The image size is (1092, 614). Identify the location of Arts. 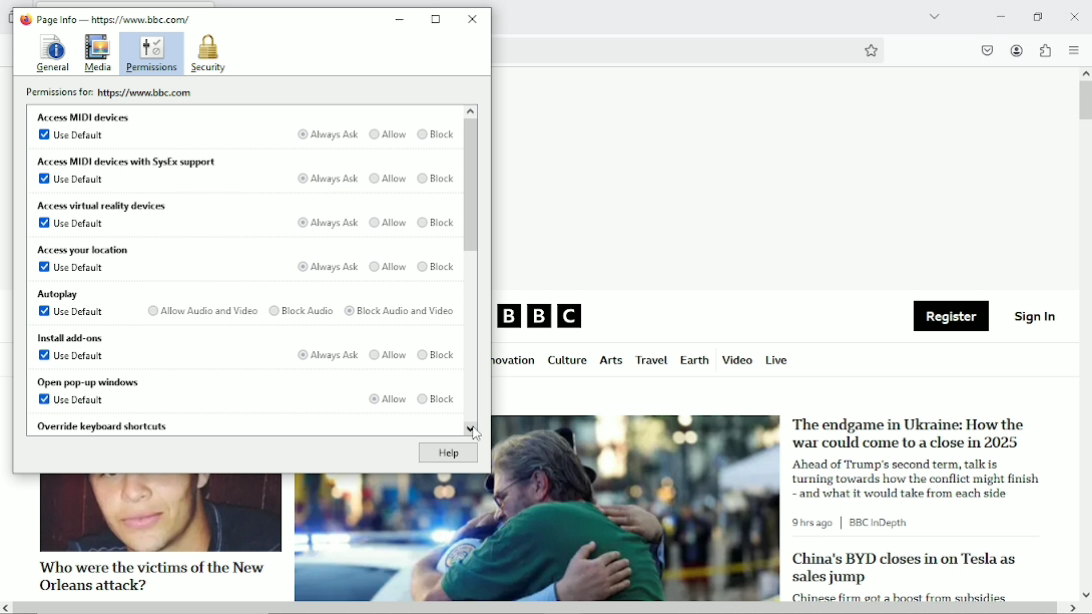
(610, 362).